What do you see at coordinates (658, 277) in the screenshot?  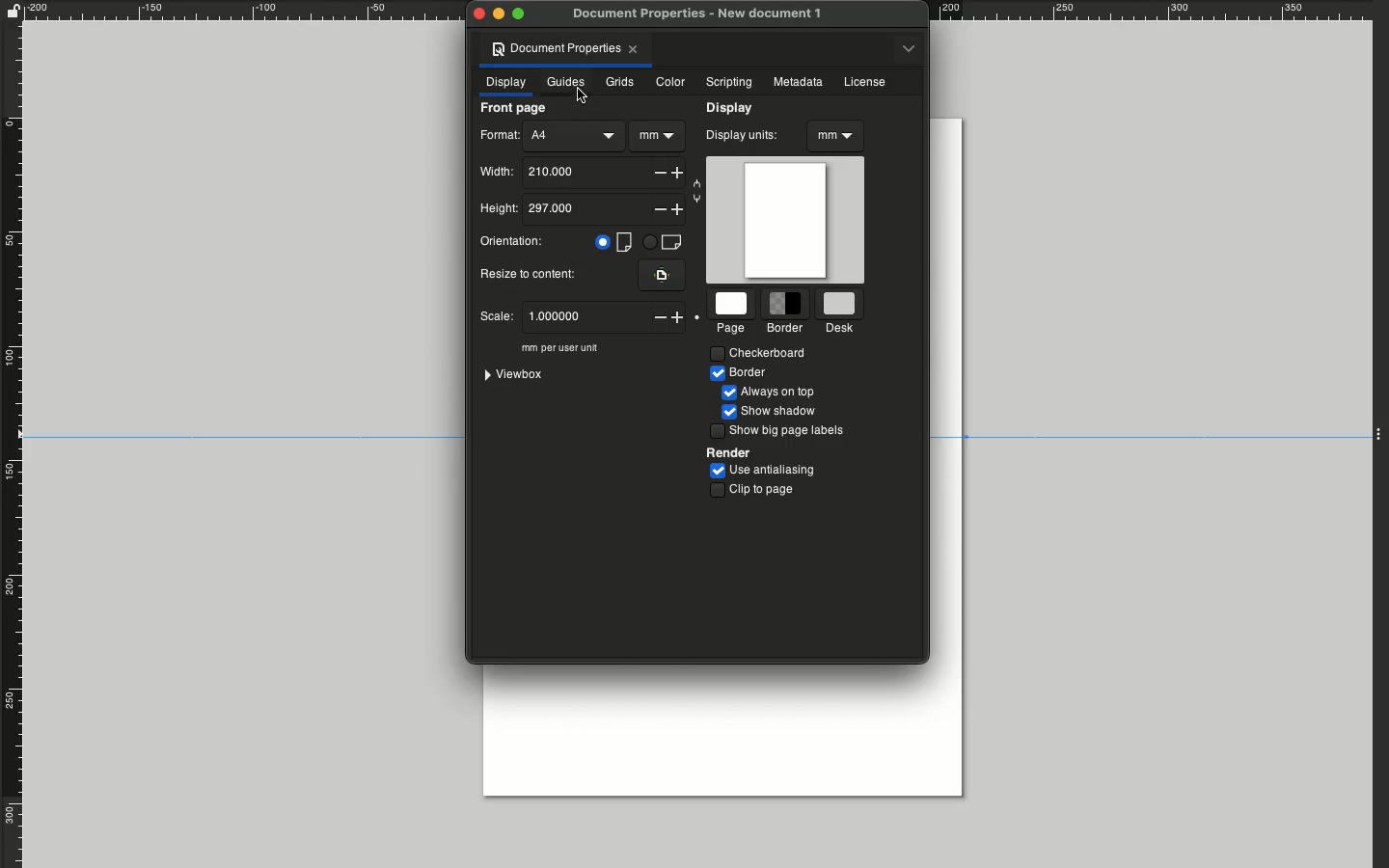 I see `Fit the page to the current selection ` at bounding box center [658, 277].